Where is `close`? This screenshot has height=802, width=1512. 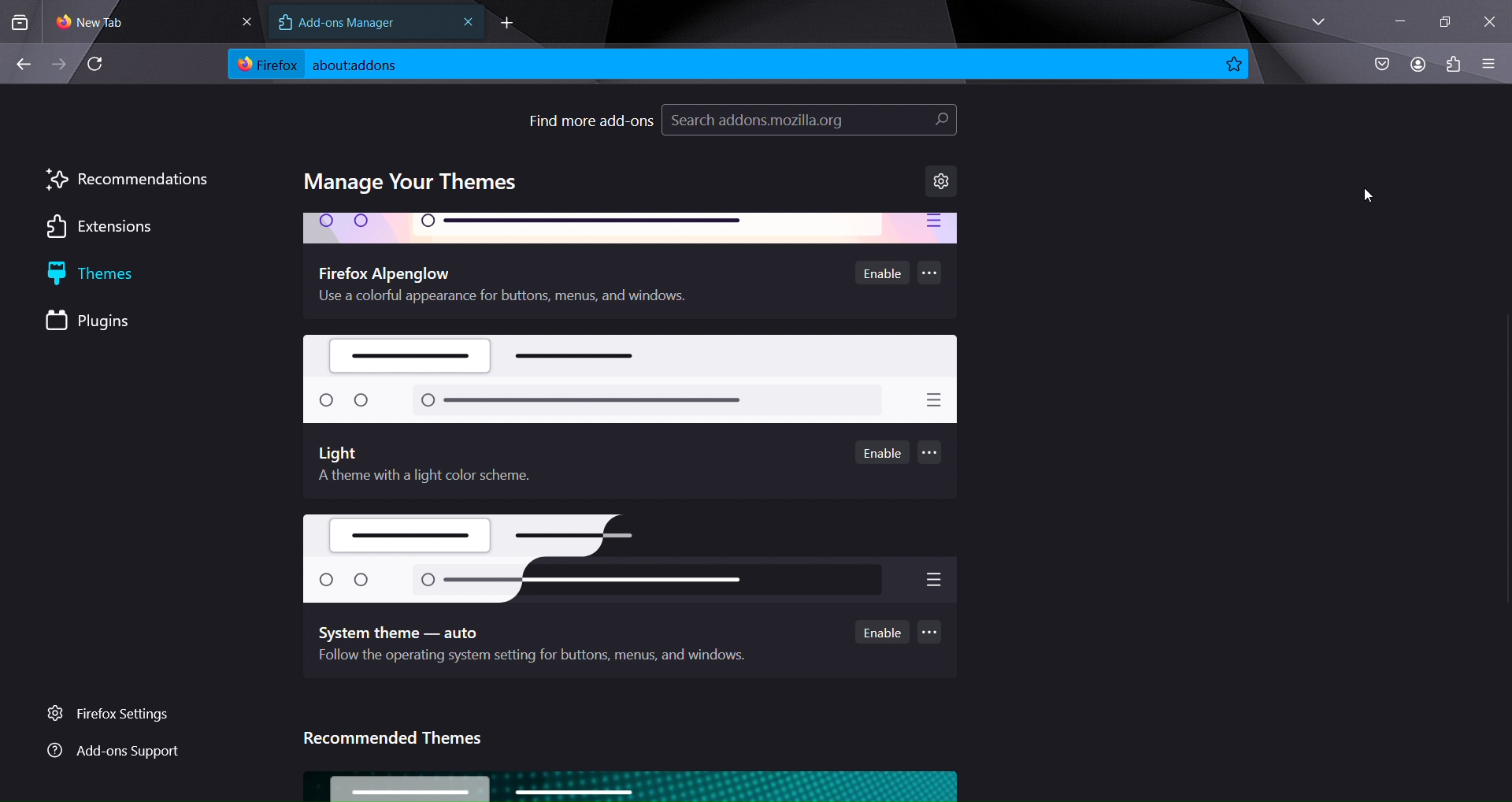 close is located at coordinates (1490, 19).